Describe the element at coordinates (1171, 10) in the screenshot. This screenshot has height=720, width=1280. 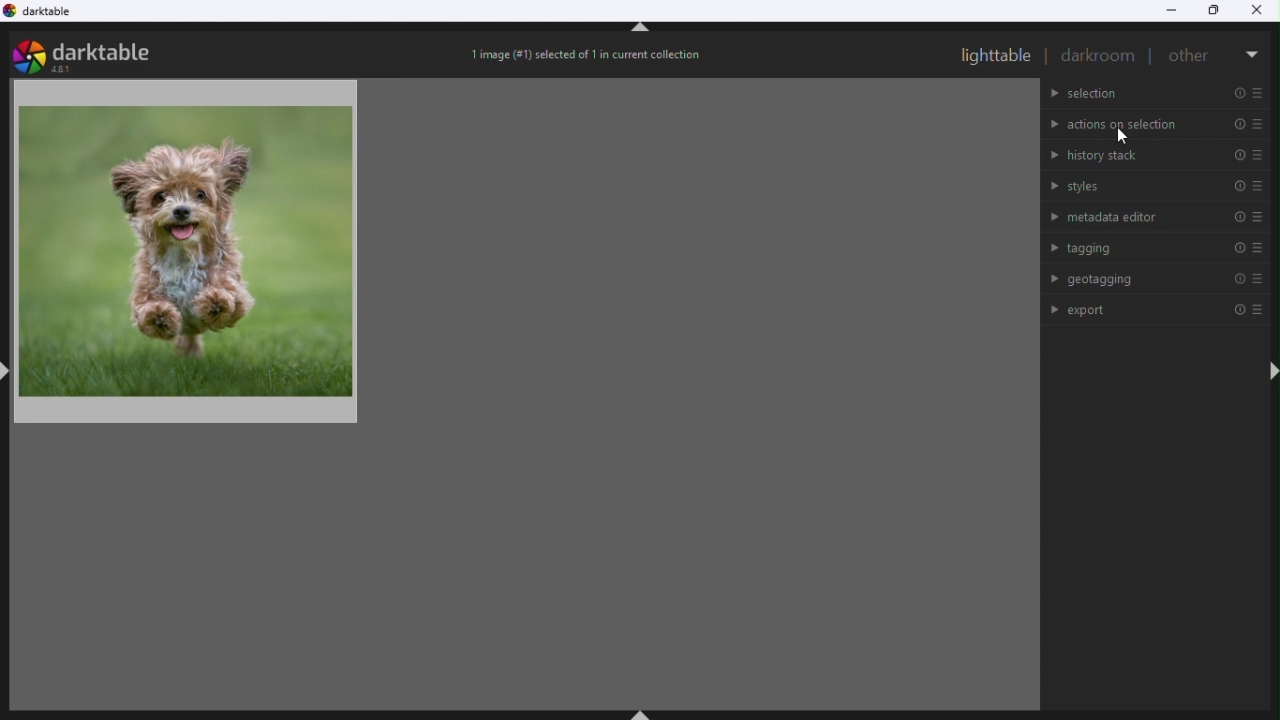
I see `Minimise` at that location.